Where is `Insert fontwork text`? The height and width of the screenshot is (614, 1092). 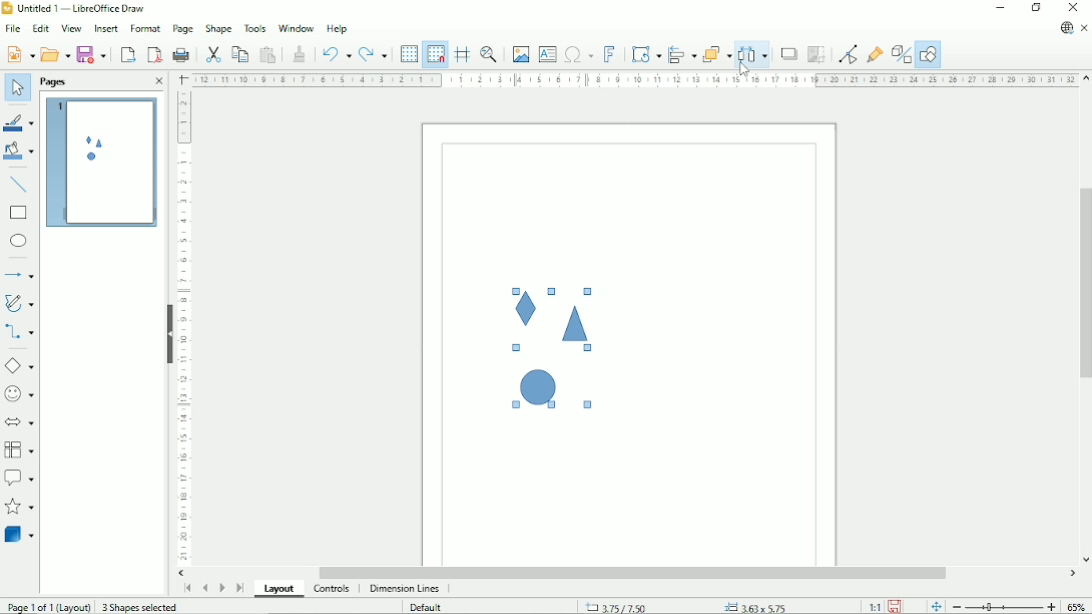 Insert fontwork text is located at coordinates (609, 54).